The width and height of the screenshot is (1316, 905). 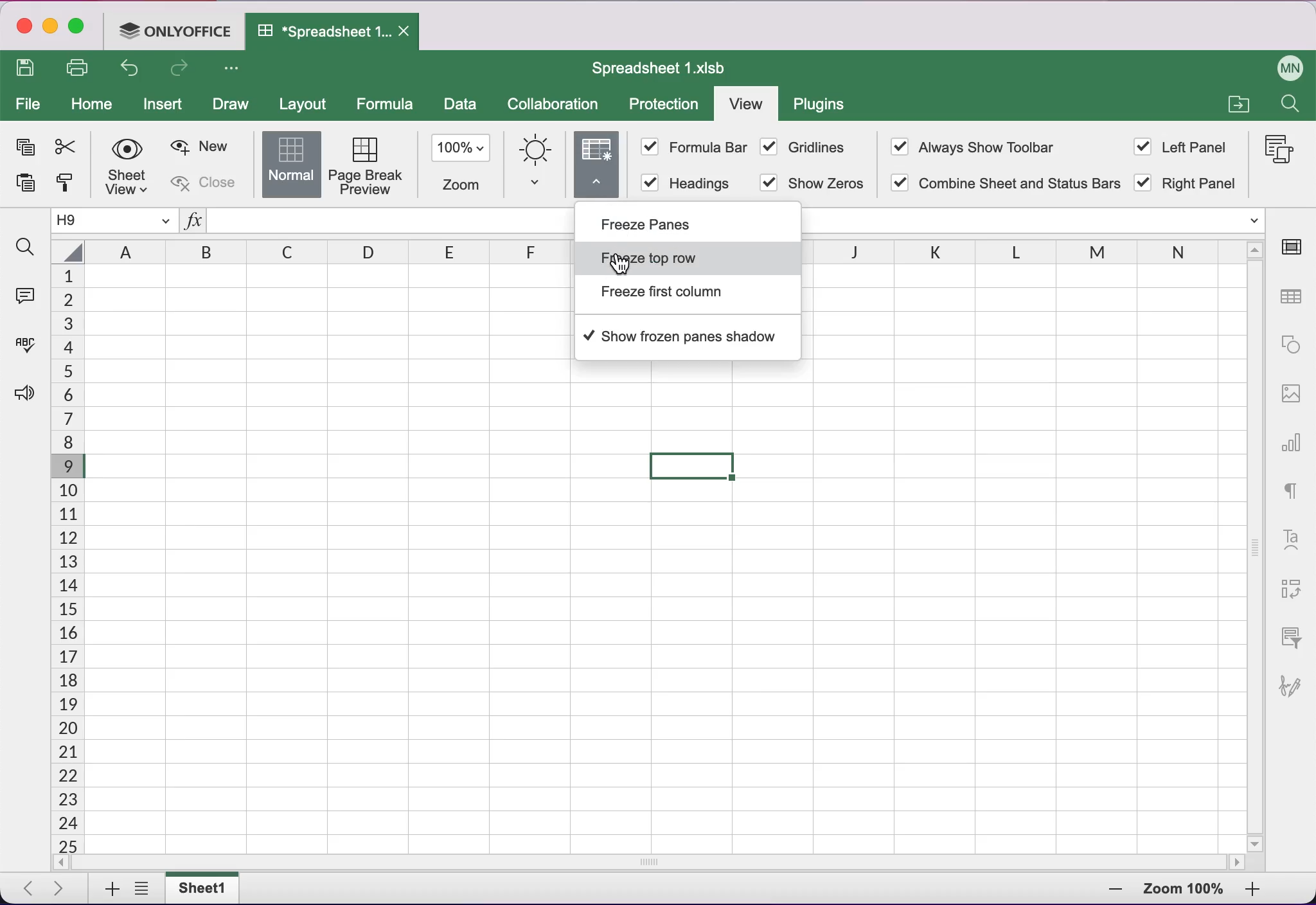 I want to click on plugins, so click(x=826, y=107).